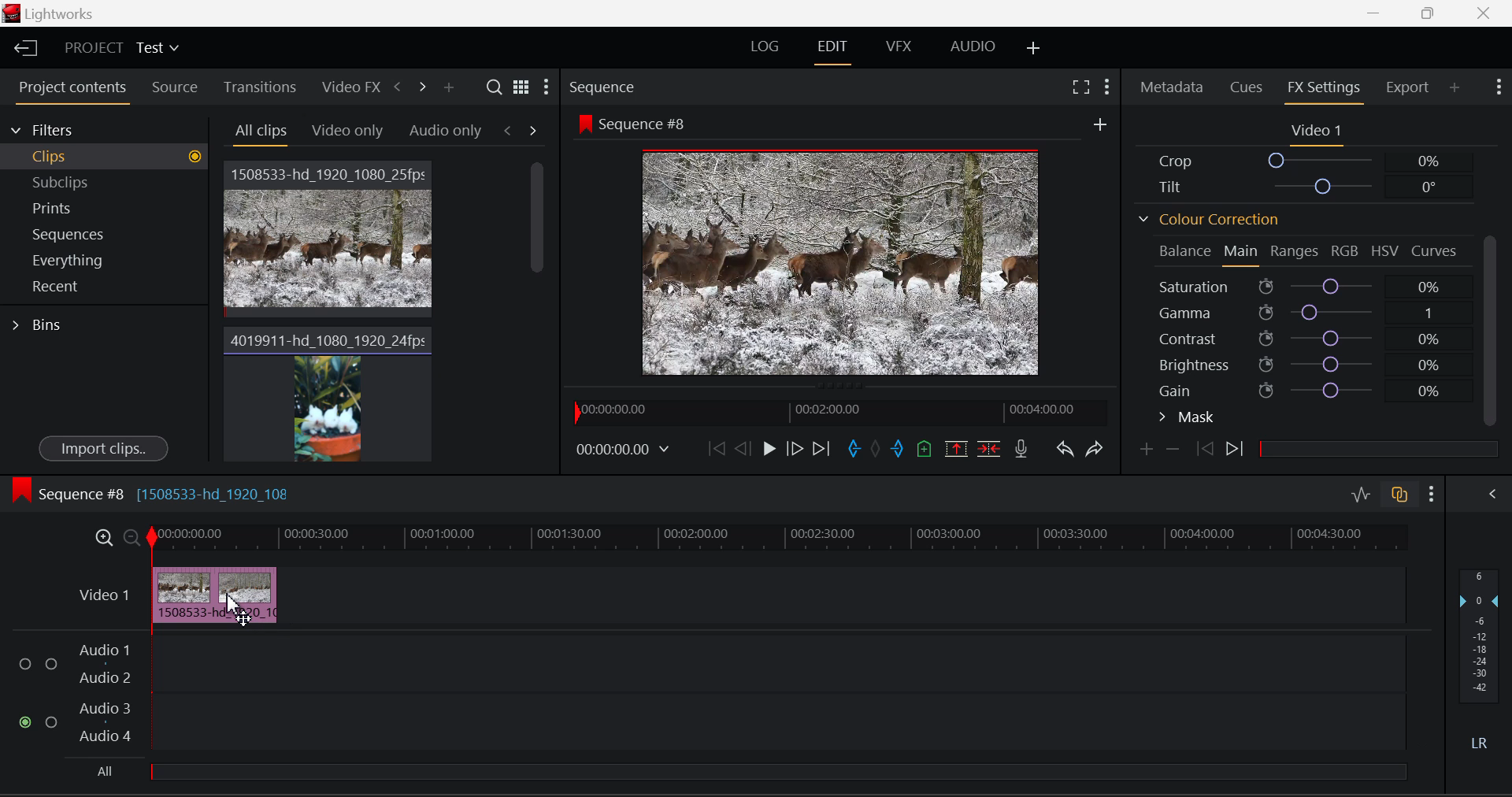 This screenshot has width=1512, height=797. Describe the element at coordinates (124, 49) in the screenshot. I see `Project Title` at that location.